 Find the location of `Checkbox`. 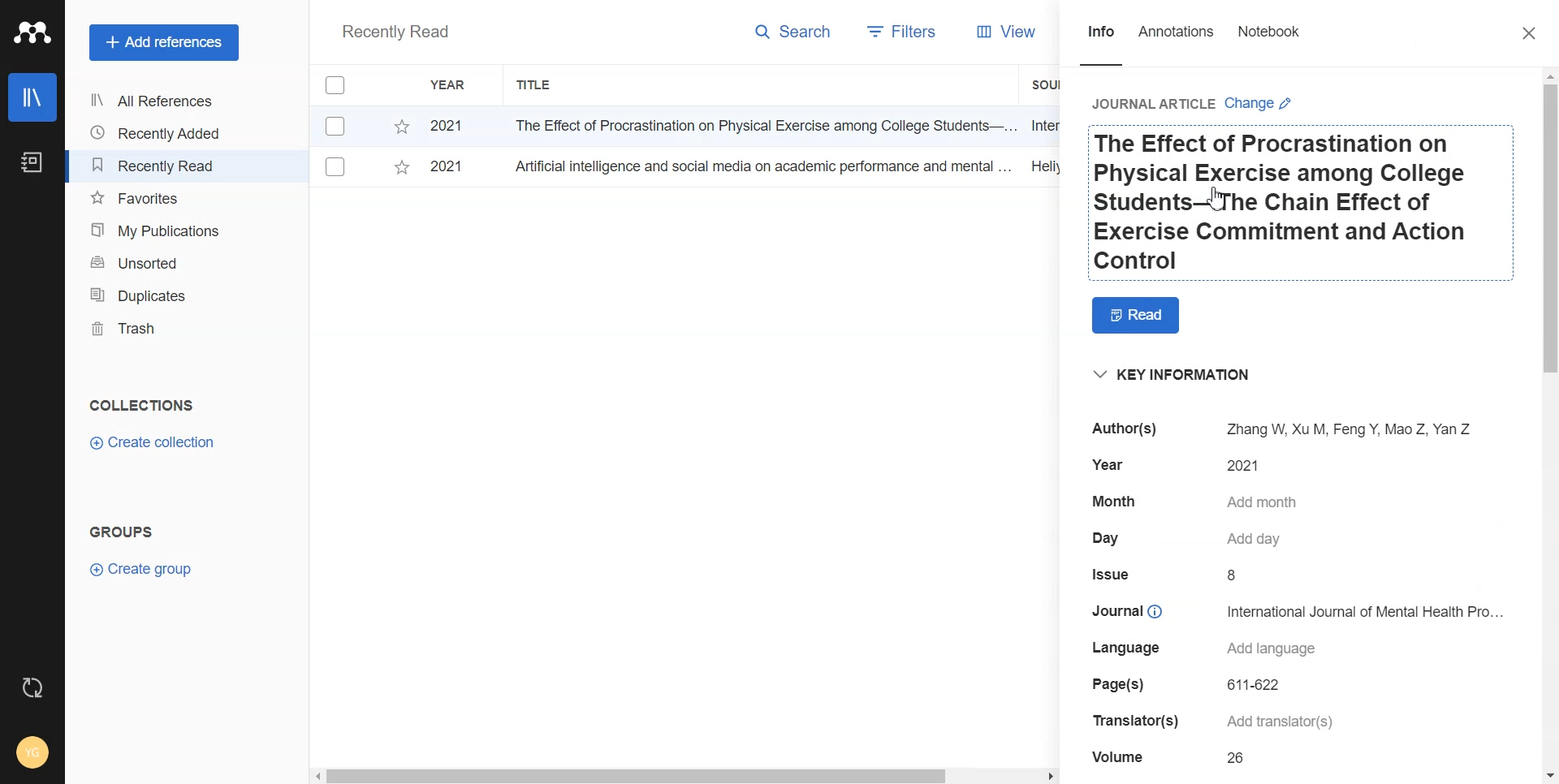

Checkbox is located at coordinates (336, 167).